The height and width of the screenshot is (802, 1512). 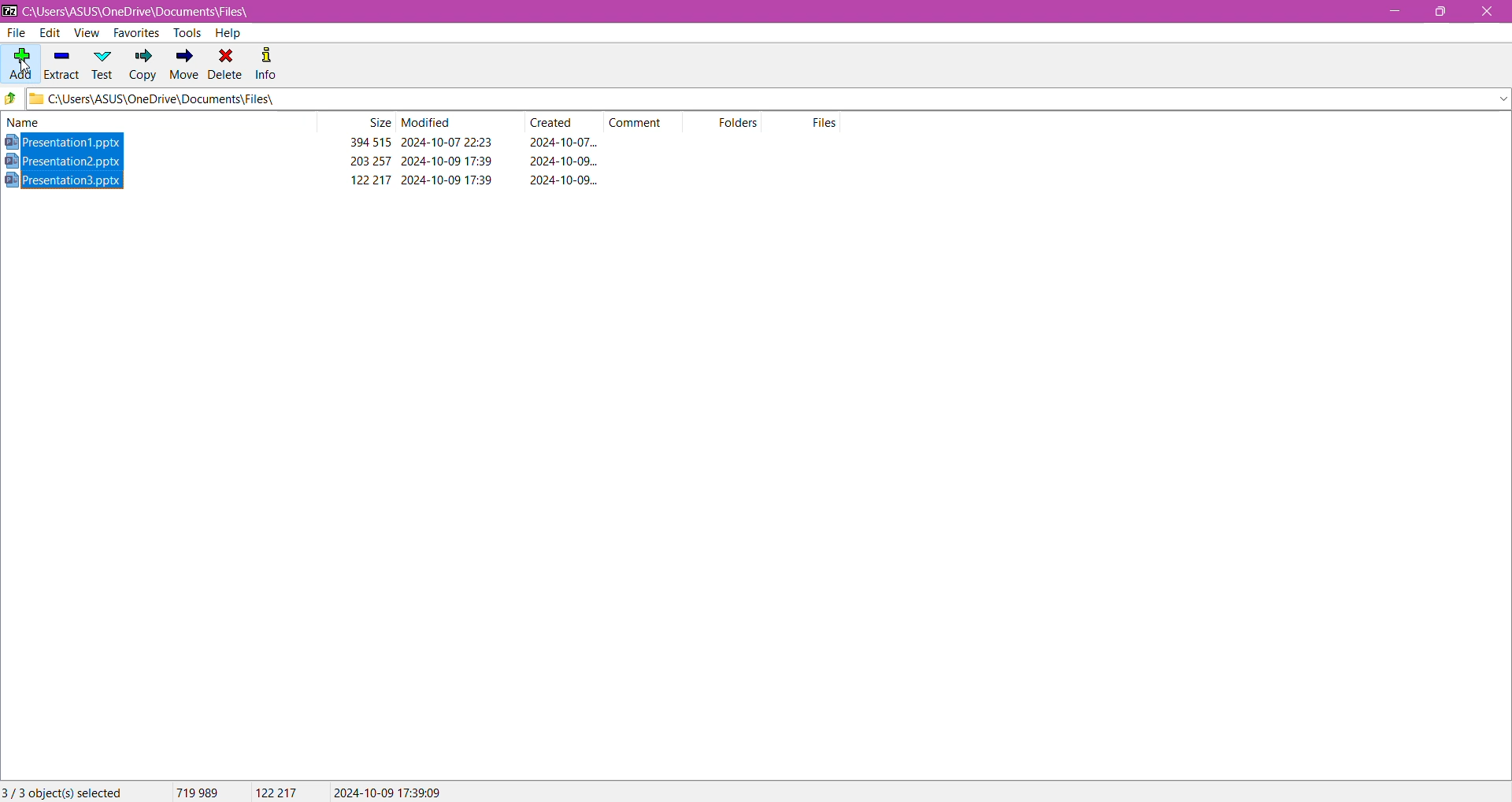 I want to click on cursor, so click(x=26, y=70).